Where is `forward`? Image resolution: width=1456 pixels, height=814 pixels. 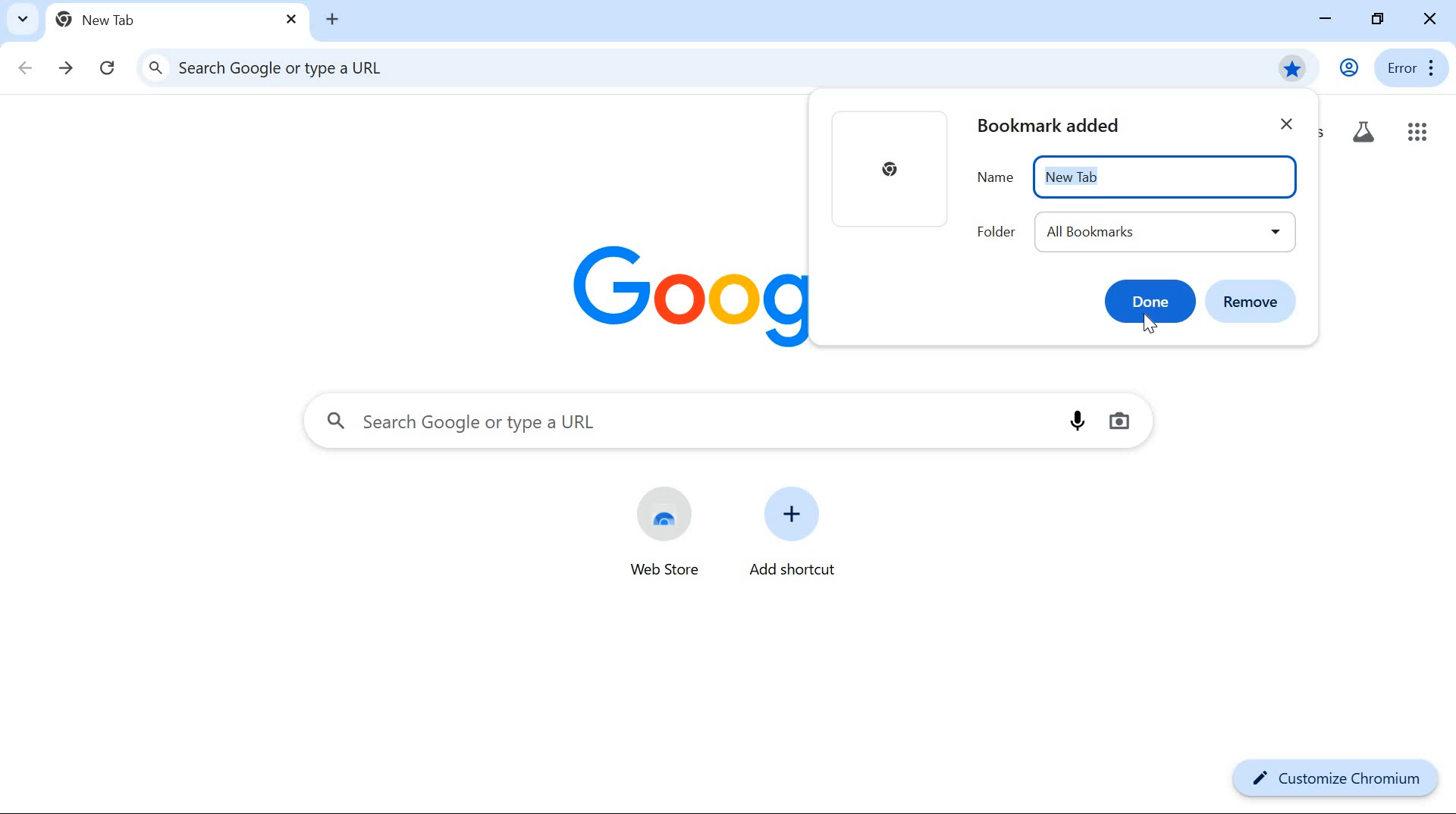 forward is located at coordinates (67, 67).